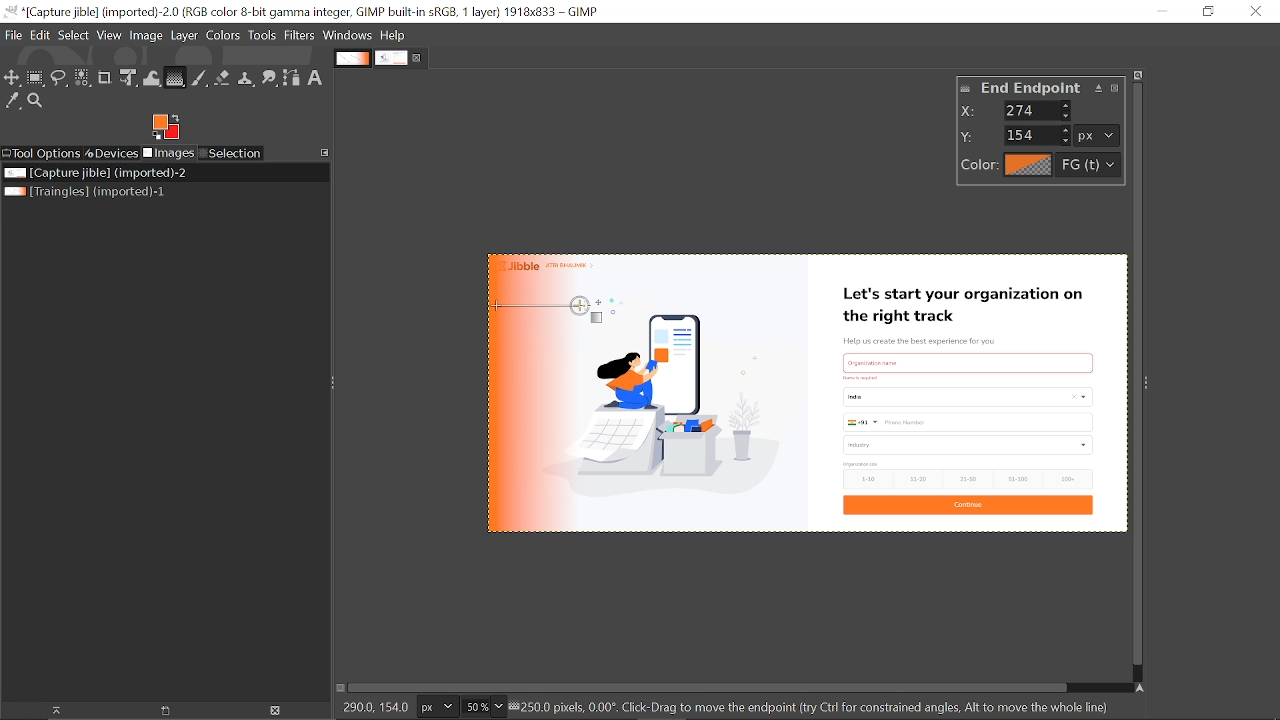 This screenshot has height=720, width=1280. I want to click on 250.0 pixels, 000", Click-Drag to move the endpoint (f, so click(818, 707).